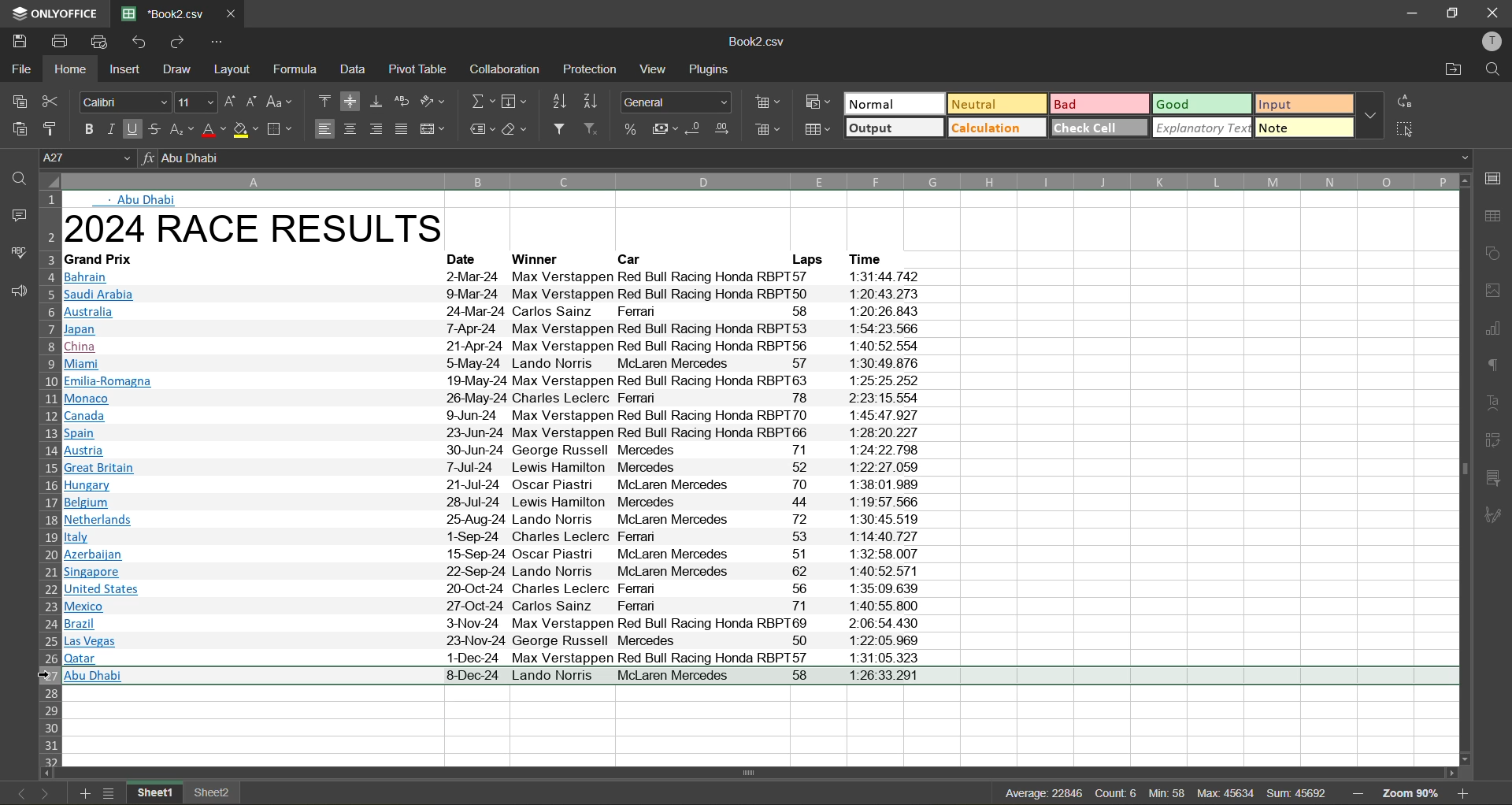 The image size is (1512, 805). What do you see at coordinates (1102, 103) in the screenshot?
I see `bad` at bounding box center [1102, 103].